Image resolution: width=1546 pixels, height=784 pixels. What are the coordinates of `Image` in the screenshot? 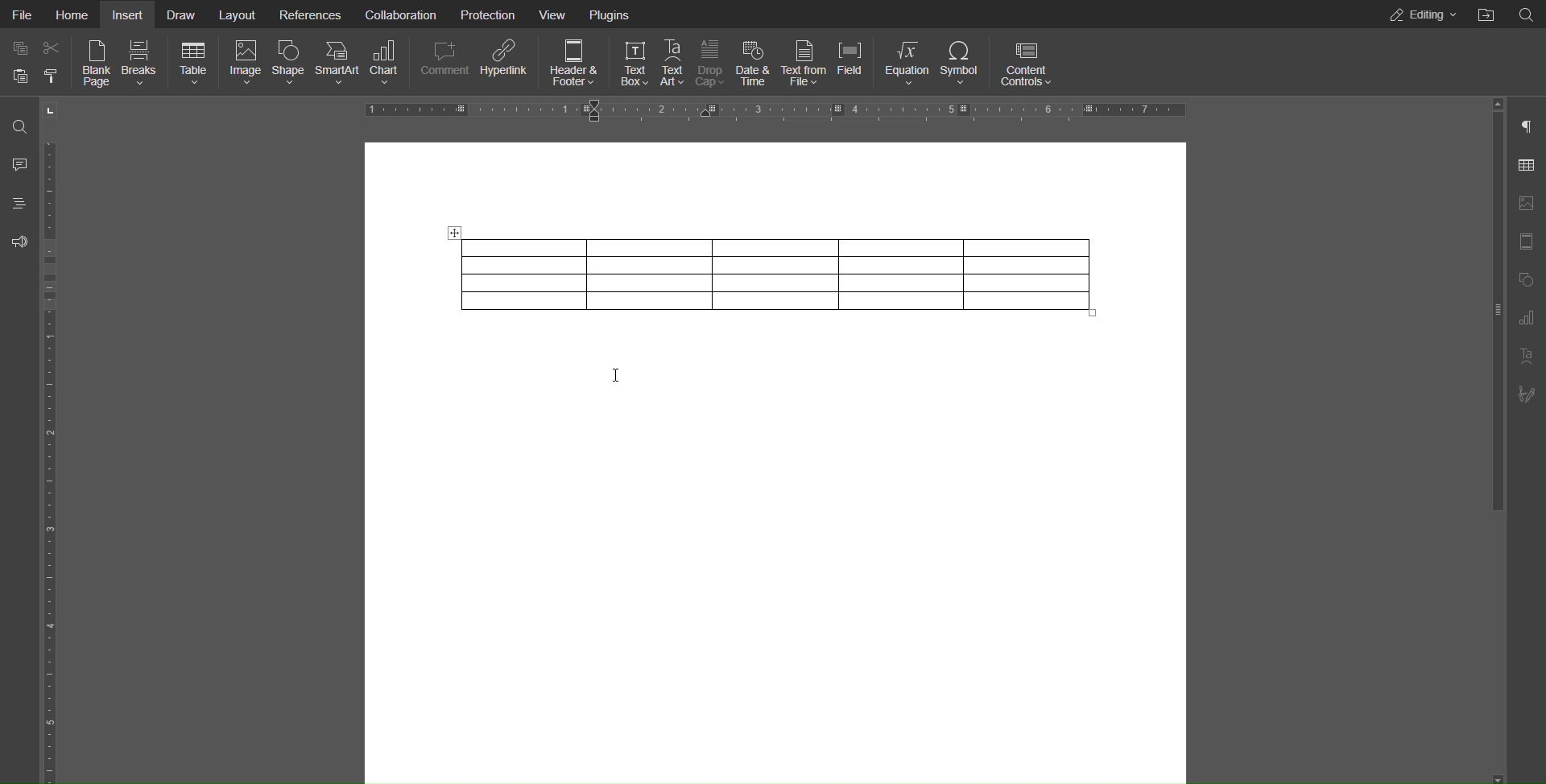 It's located at (246, 63).